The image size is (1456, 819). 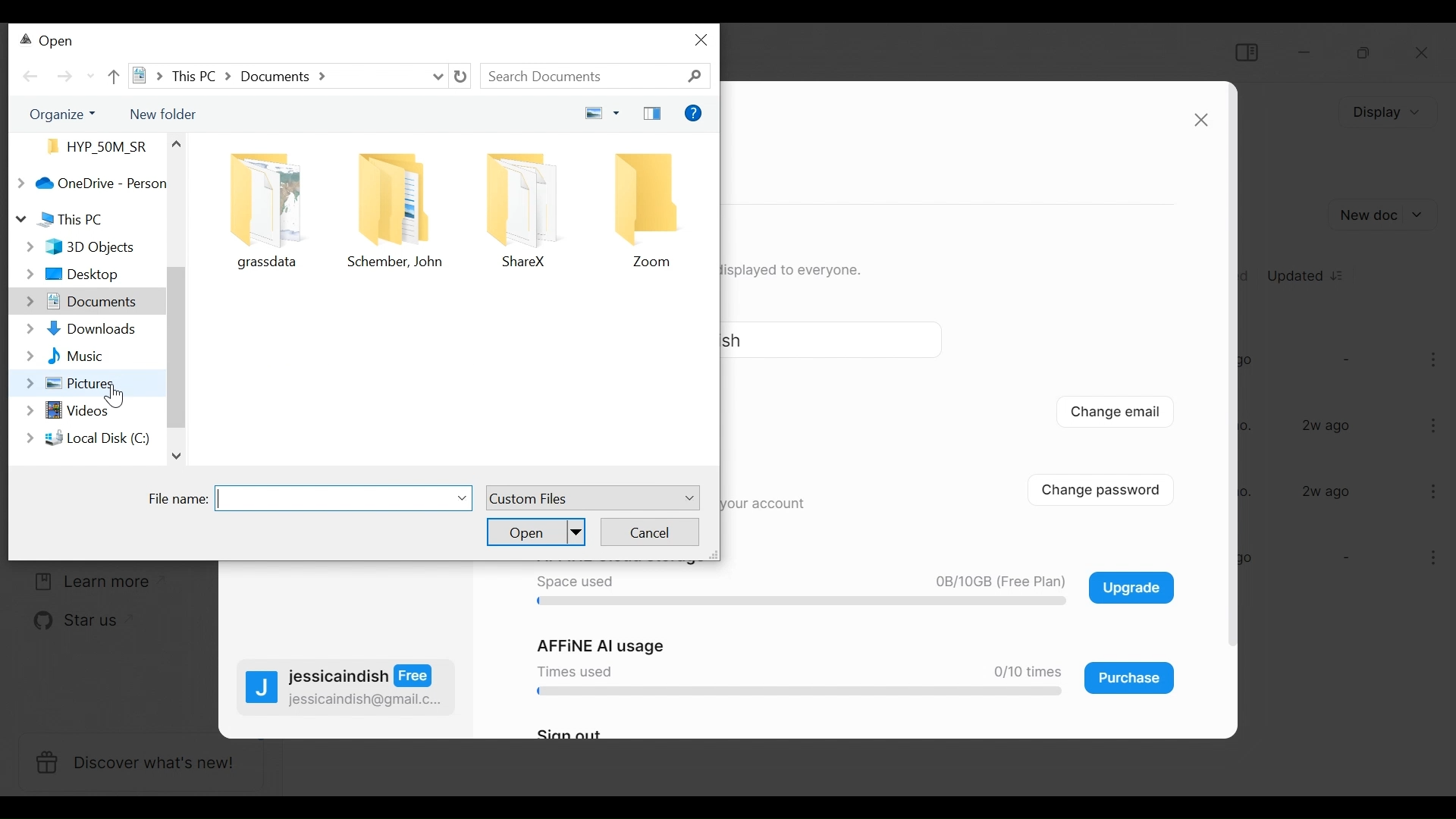 What do you see at coordinates (995, 582) in the screenshot?
I see `0B/10GB (Free Plan)` at bounding box center [995, 582].